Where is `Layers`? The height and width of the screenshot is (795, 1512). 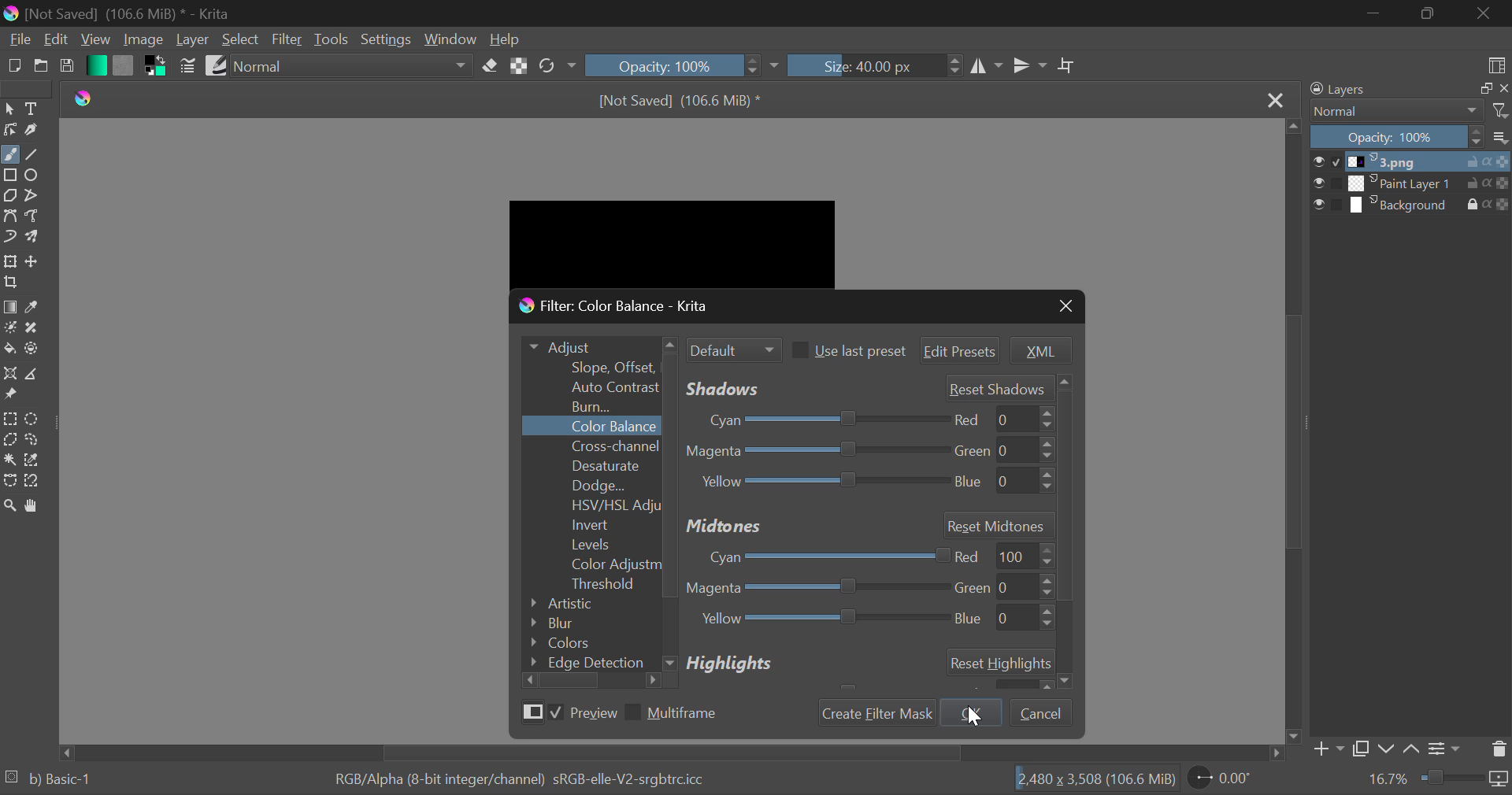 Layers is located at coordinates (1388, 89).